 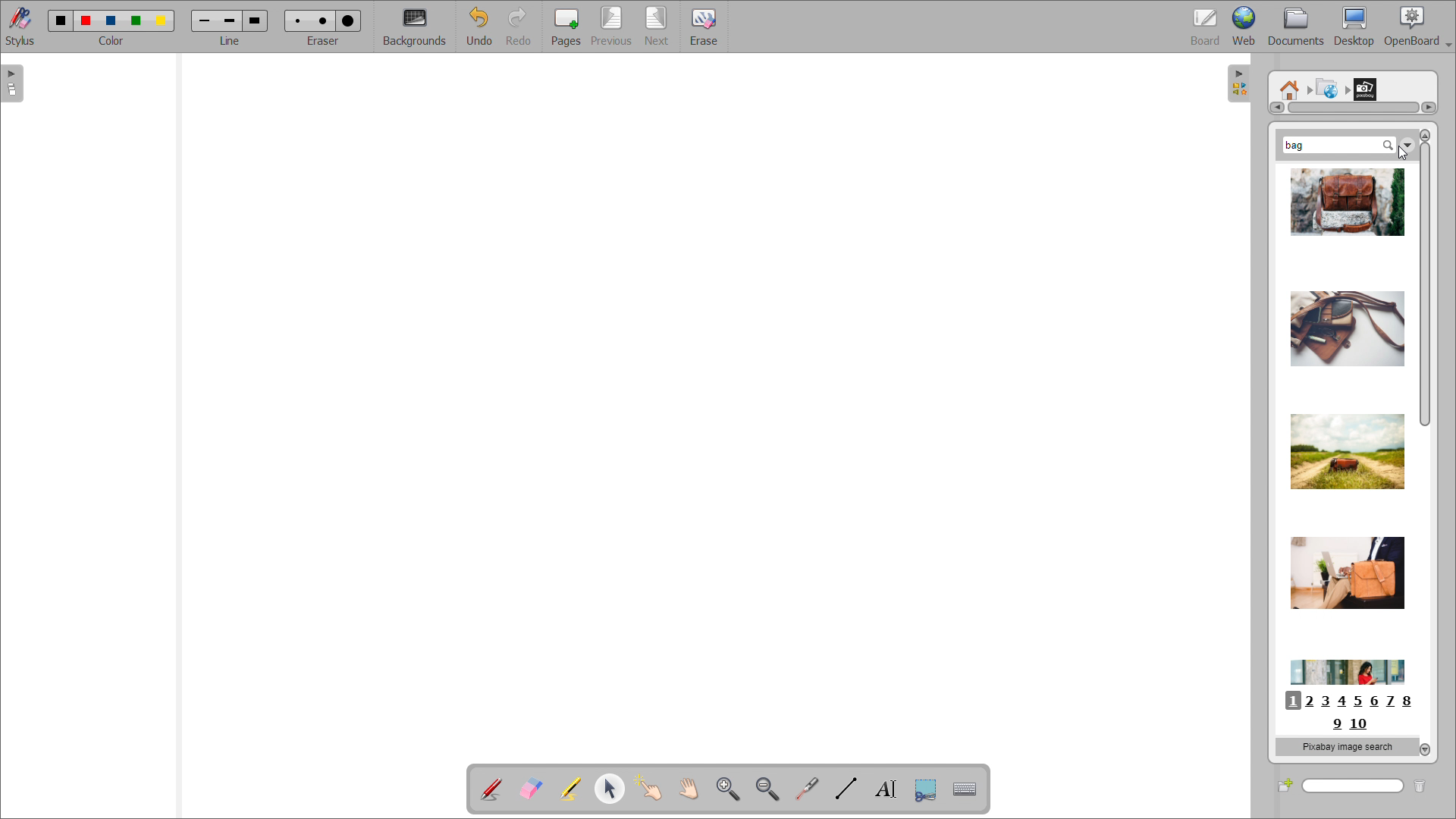 I want to click on scroll page, so click(x=688, y=787).